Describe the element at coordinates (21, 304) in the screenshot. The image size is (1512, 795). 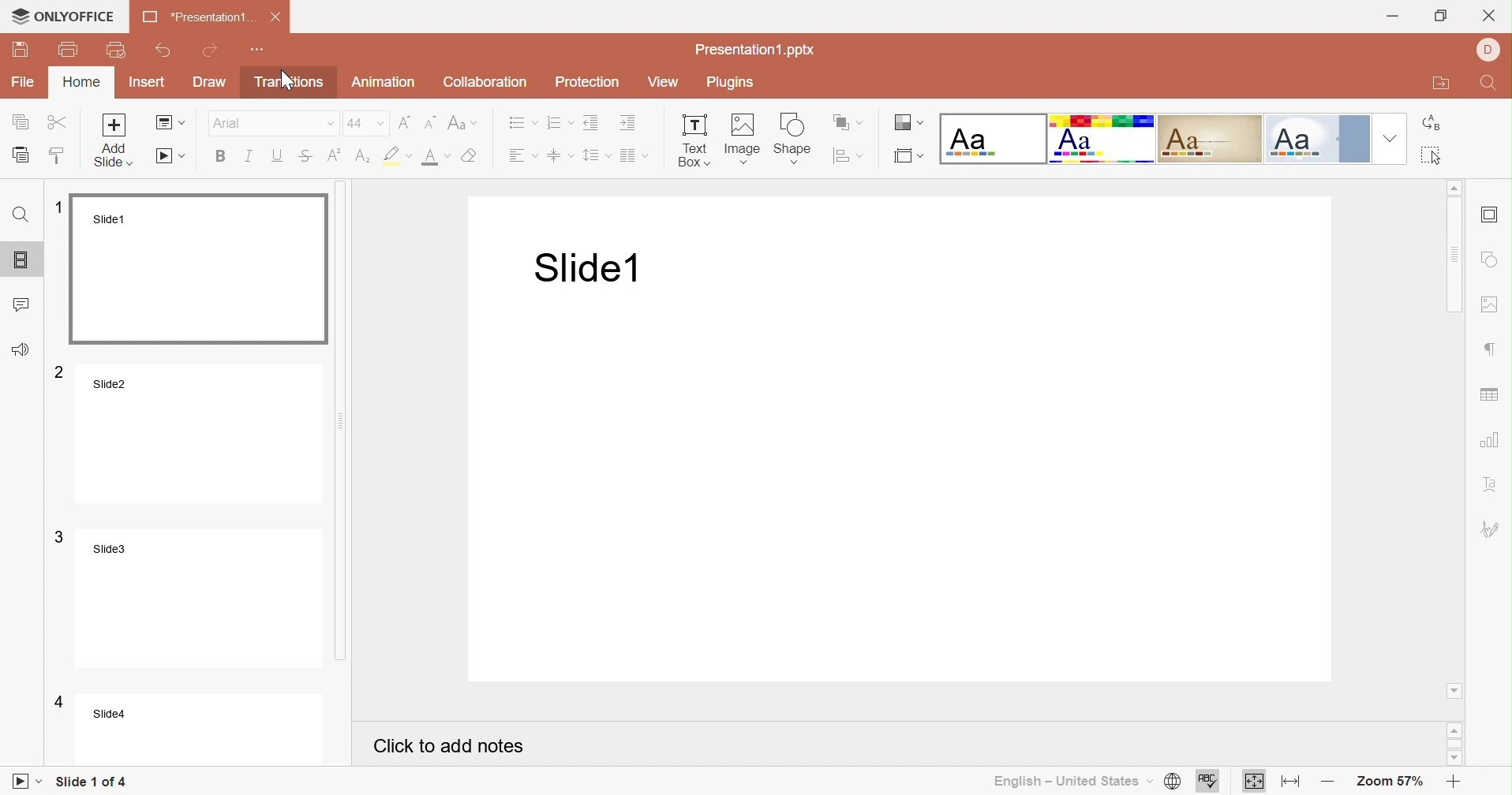
I see `Comments` at that location.